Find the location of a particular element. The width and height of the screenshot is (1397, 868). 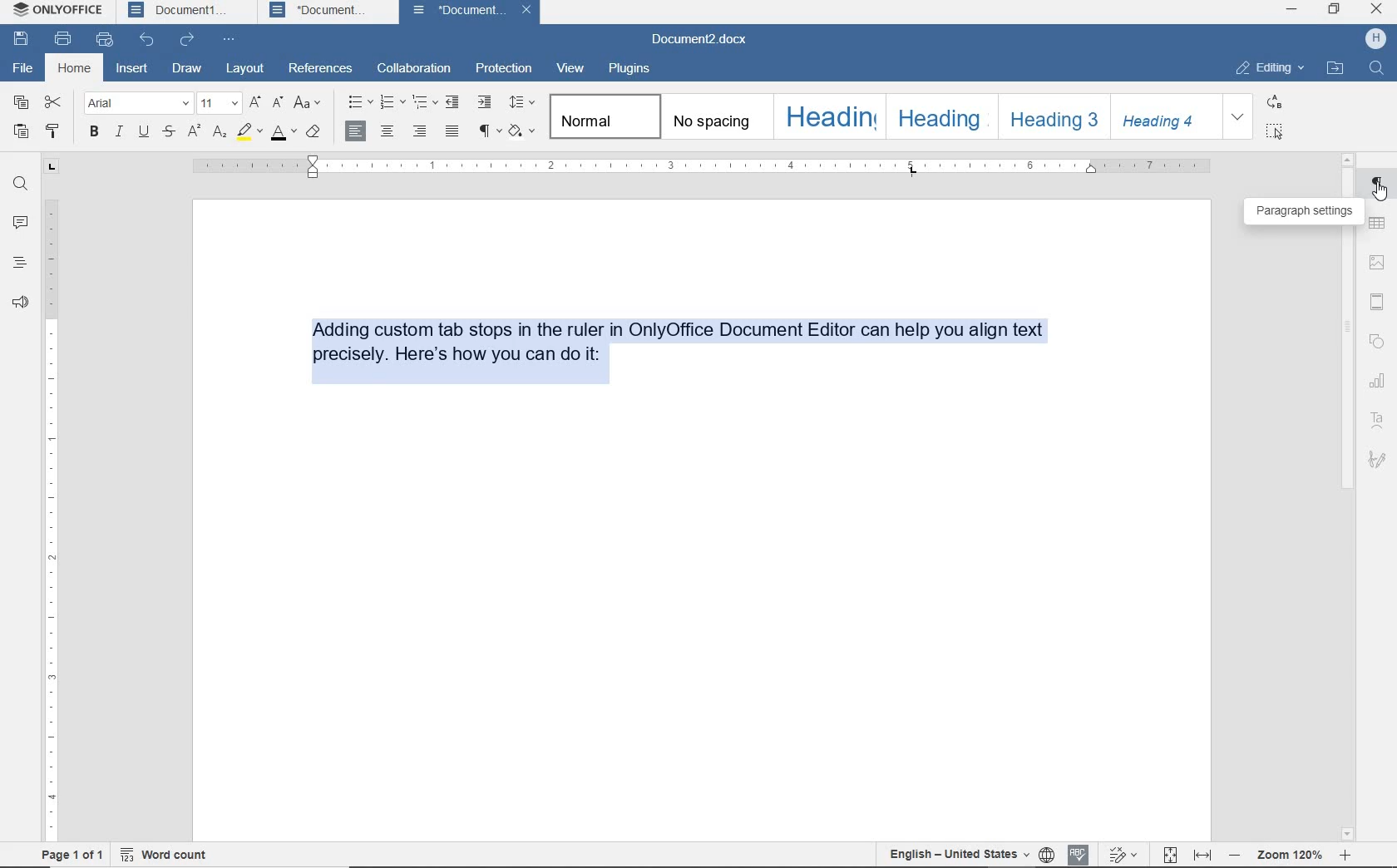

chart is located at coordinates (1379, 377).